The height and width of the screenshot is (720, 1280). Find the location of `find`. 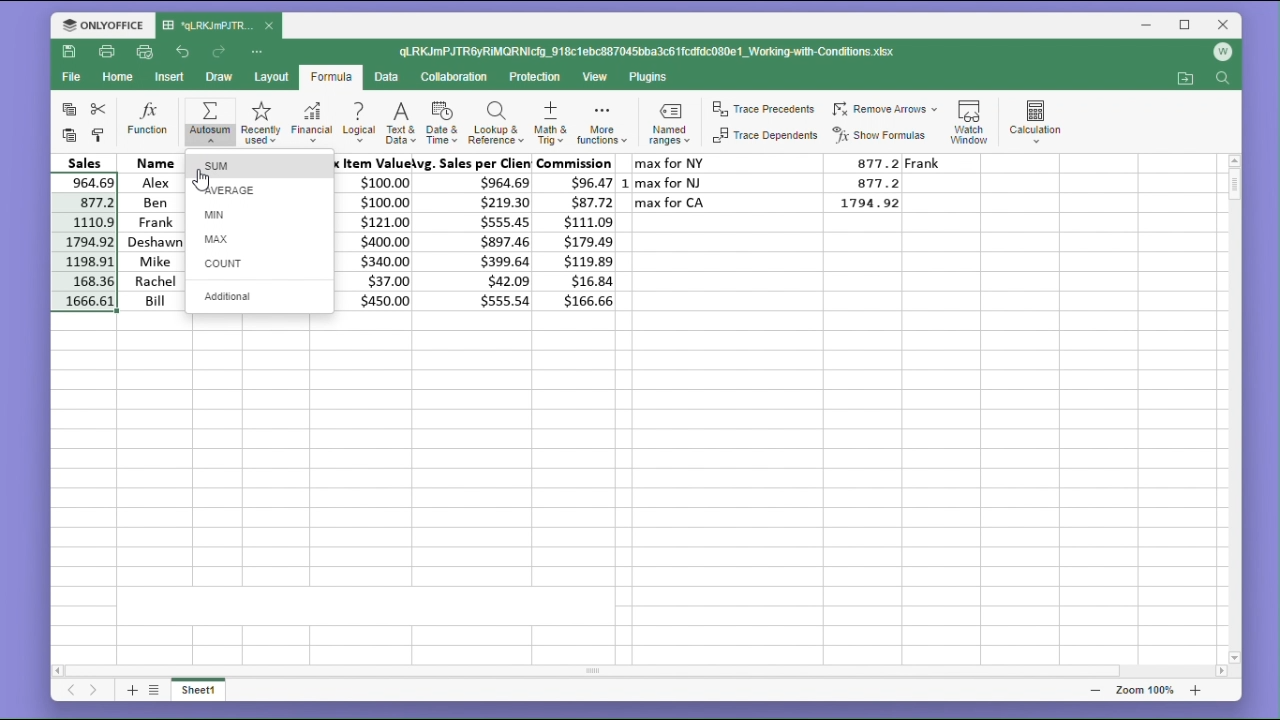

find is located at coordinates (1225, 80).